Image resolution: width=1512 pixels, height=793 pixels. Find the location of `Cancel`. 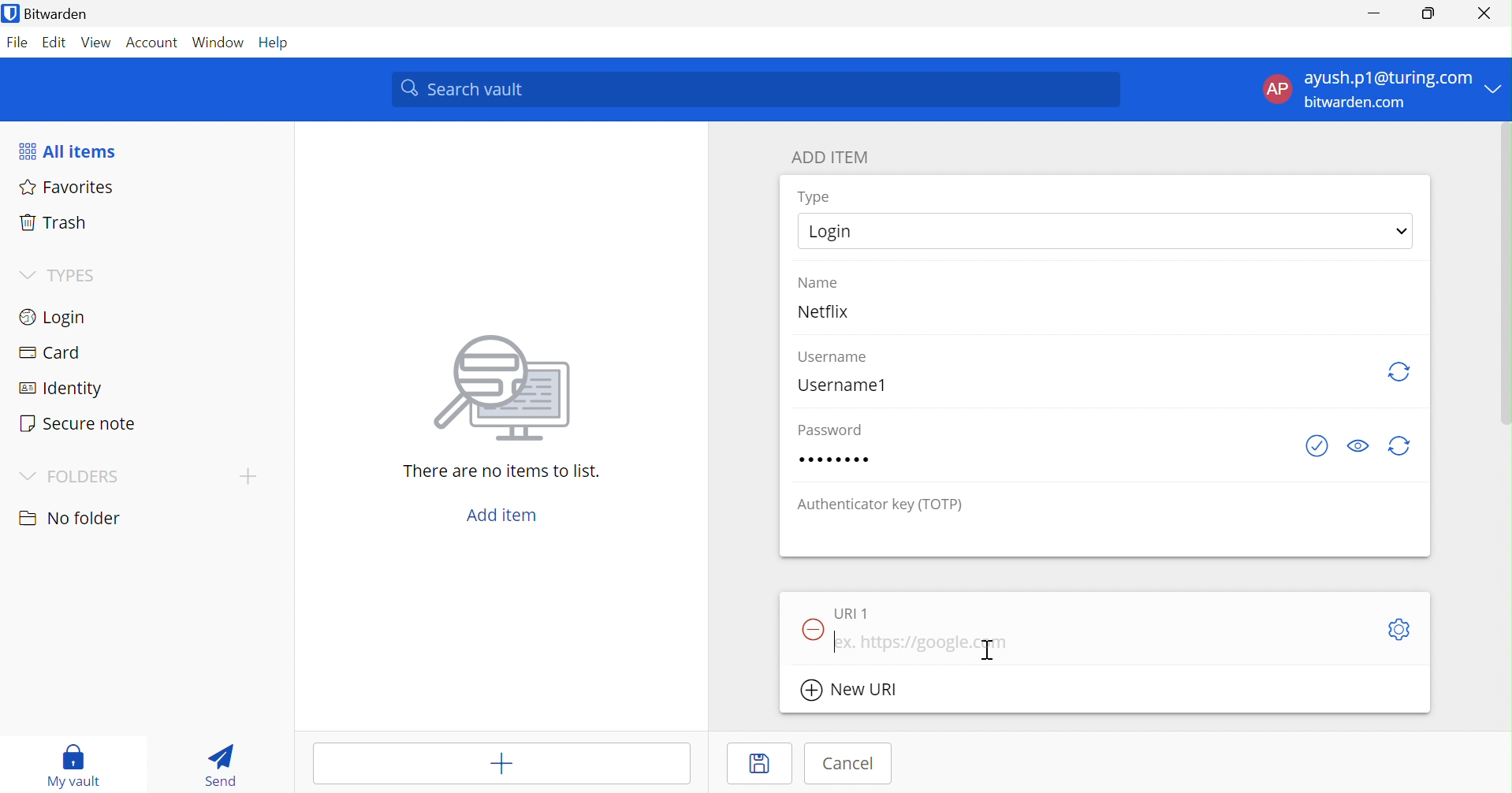

Cancel is located at coordinates (849, 764).